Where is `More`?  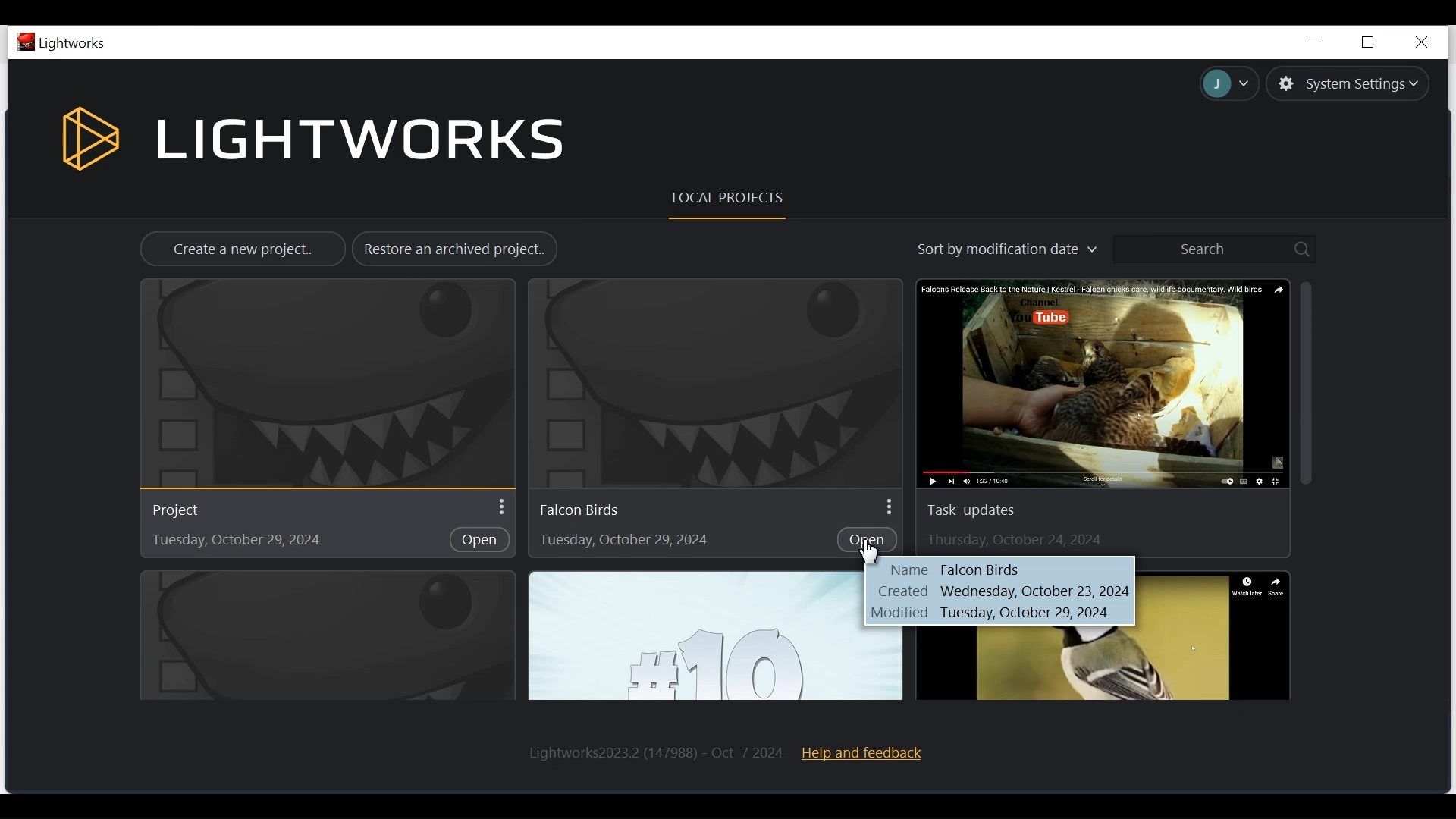 More is located at coordinates (500, 509).